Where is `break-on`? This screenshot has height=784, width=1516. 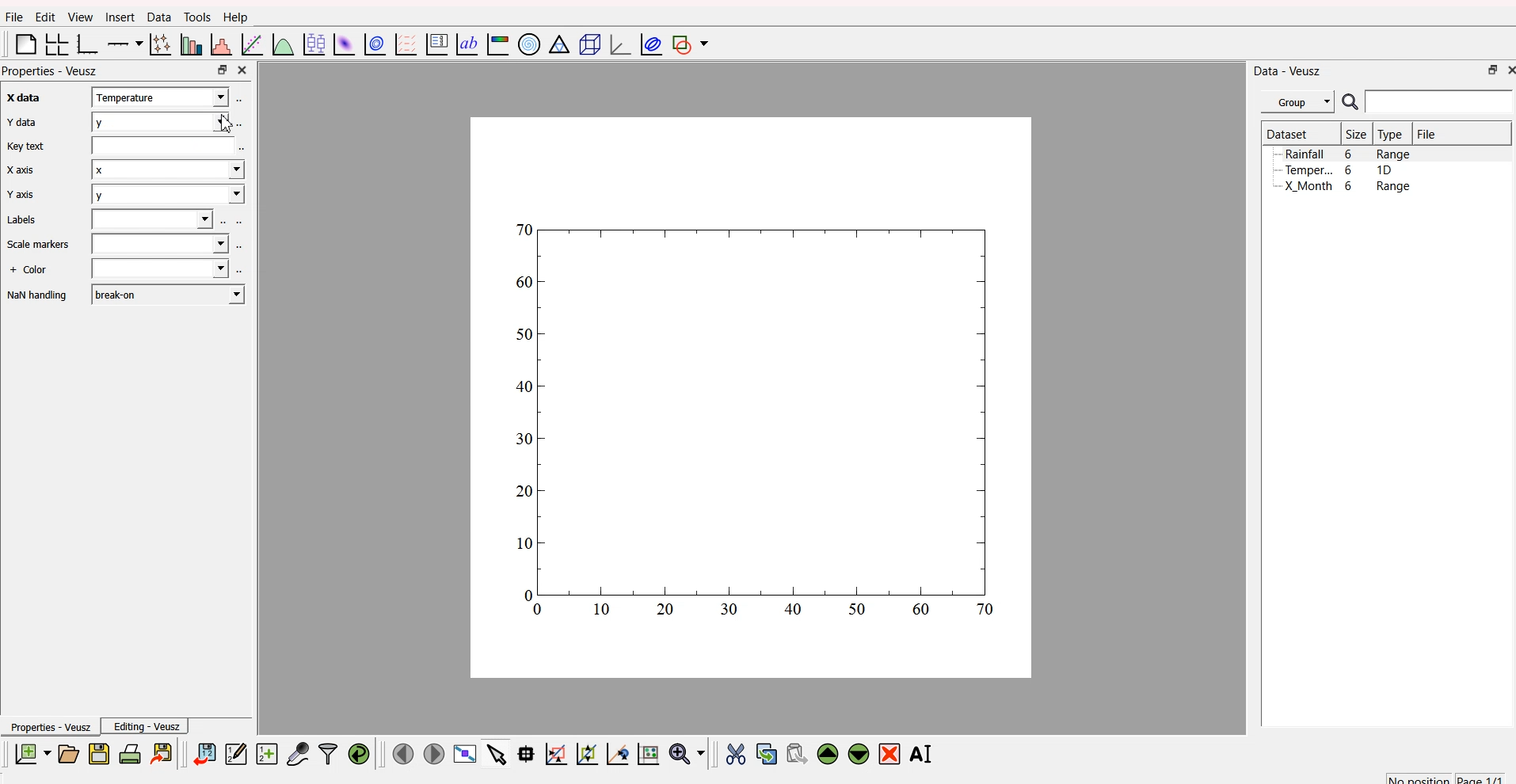 break-on is located at coordinates (168, 293).